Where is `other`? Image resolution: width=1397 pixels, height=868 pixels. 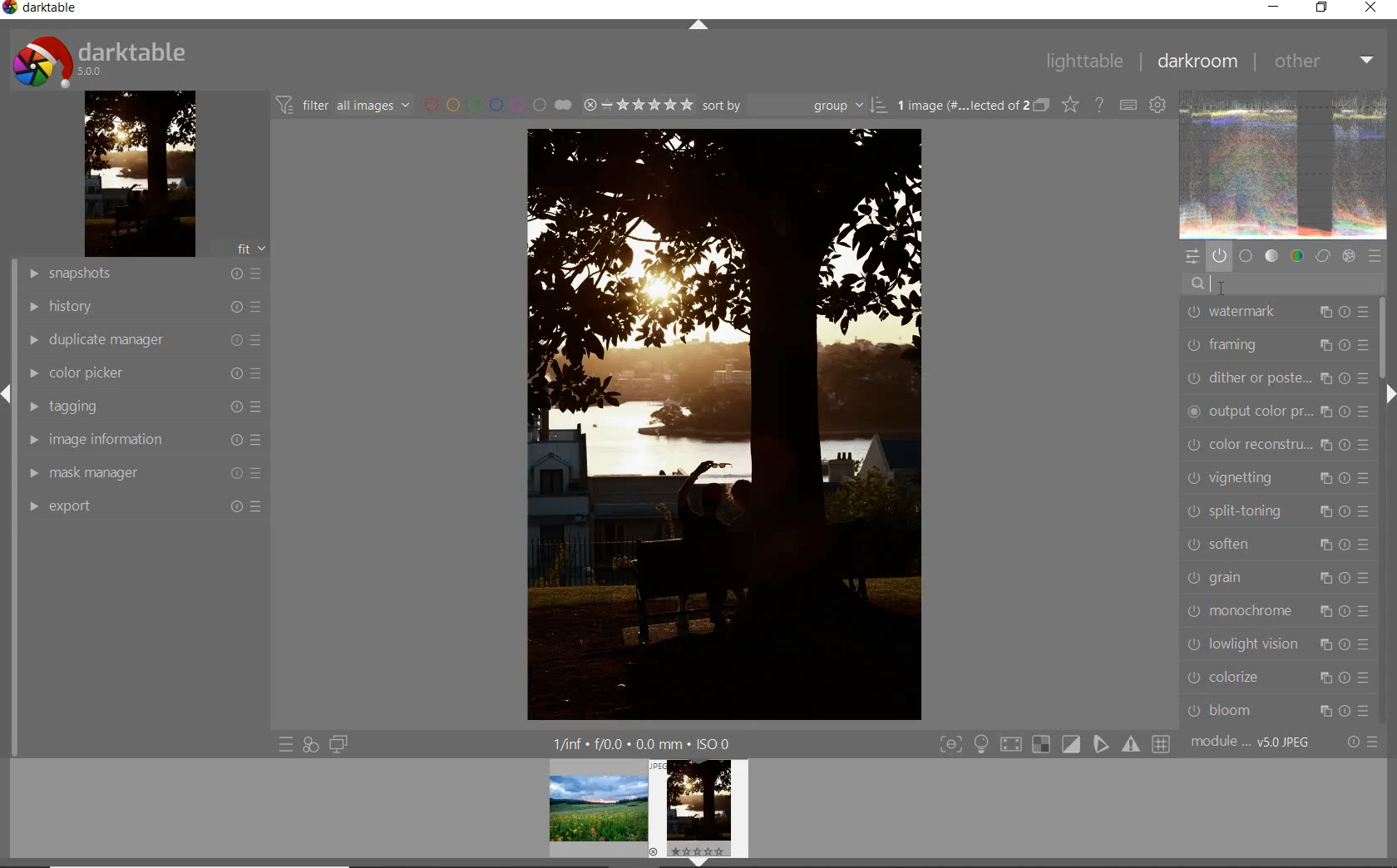 other is located at coordinates (1320, 60).